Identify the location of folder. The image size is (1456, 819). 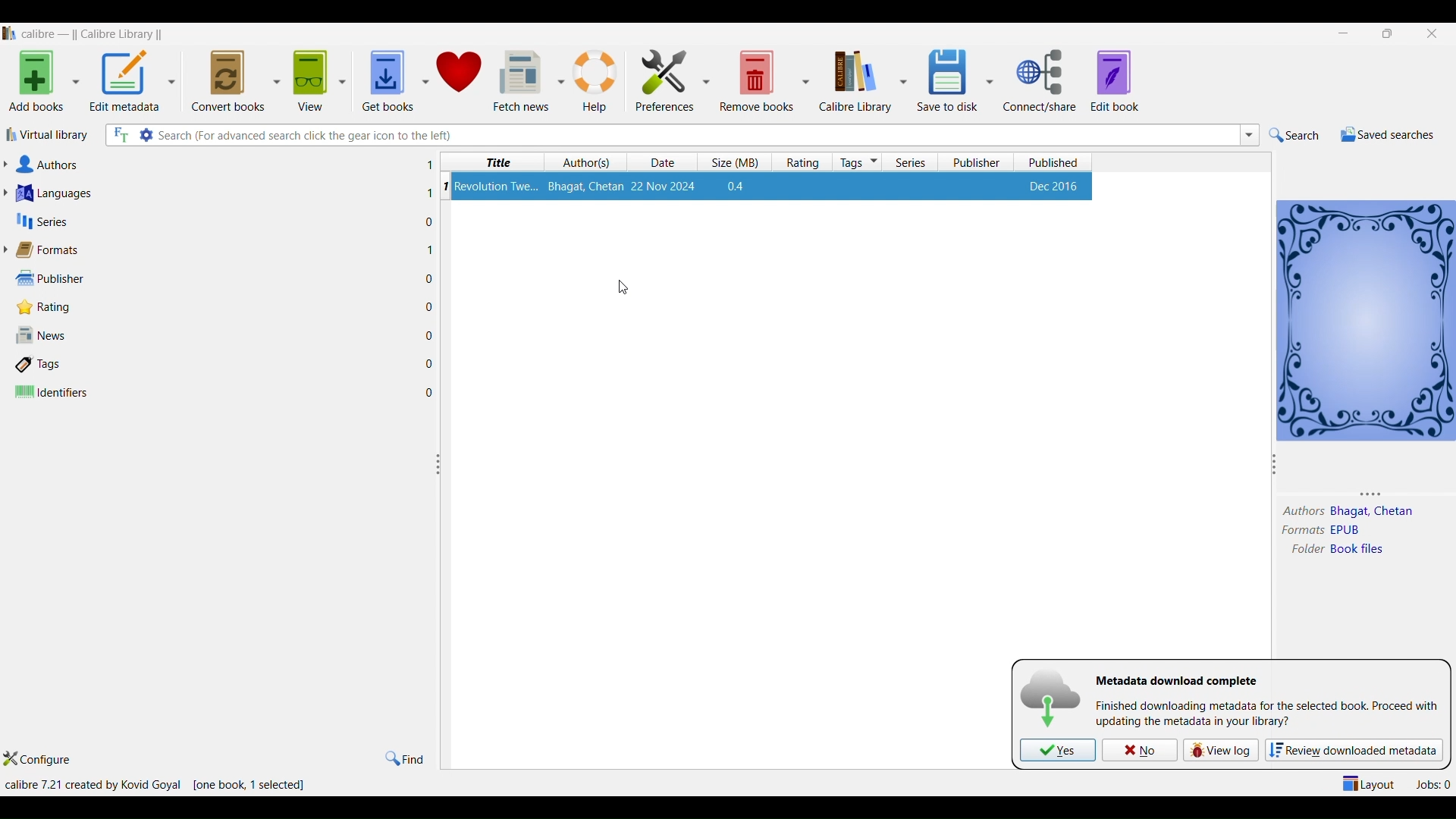
(1305, 550).